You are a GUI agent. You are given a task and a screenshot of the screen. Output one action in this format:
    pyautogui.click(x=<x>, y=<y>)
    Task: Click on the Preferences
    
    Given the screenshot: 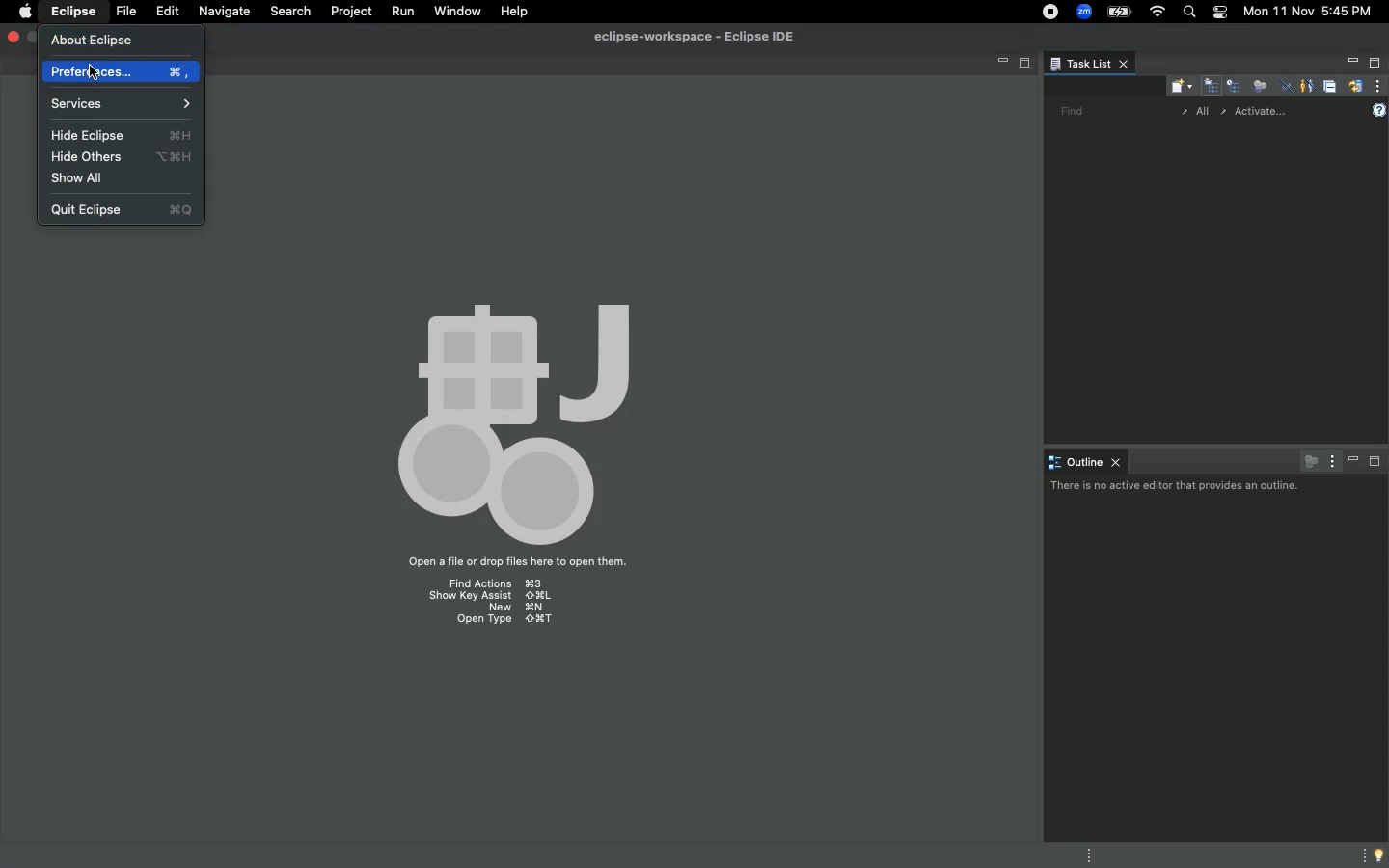 What is the action you would take?
    pyautogui.click(x=122, y=72)
    